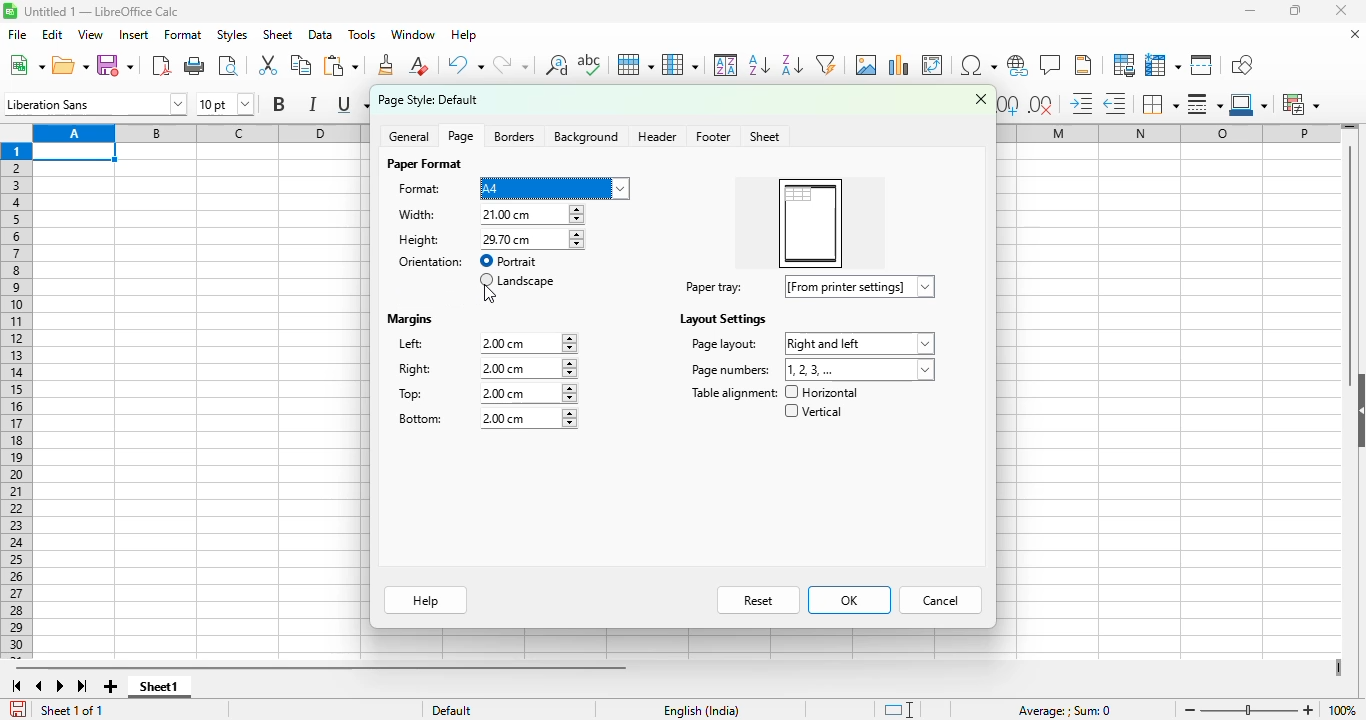 Image resolution: width=1366 pixels, height=720 pixels. I want to click on standard selection, so click(897, 709).